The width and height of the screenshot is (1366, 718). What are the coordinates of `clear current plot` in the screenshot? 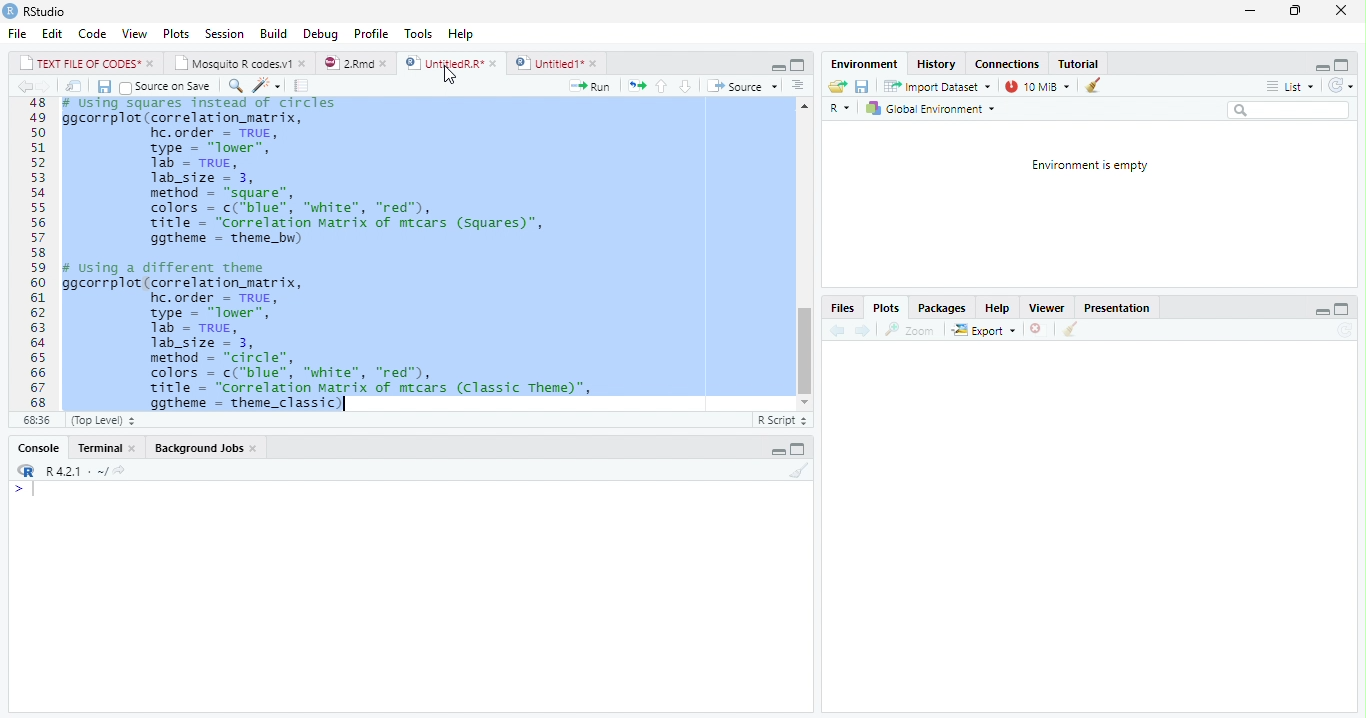 It's located at (1034, 330).